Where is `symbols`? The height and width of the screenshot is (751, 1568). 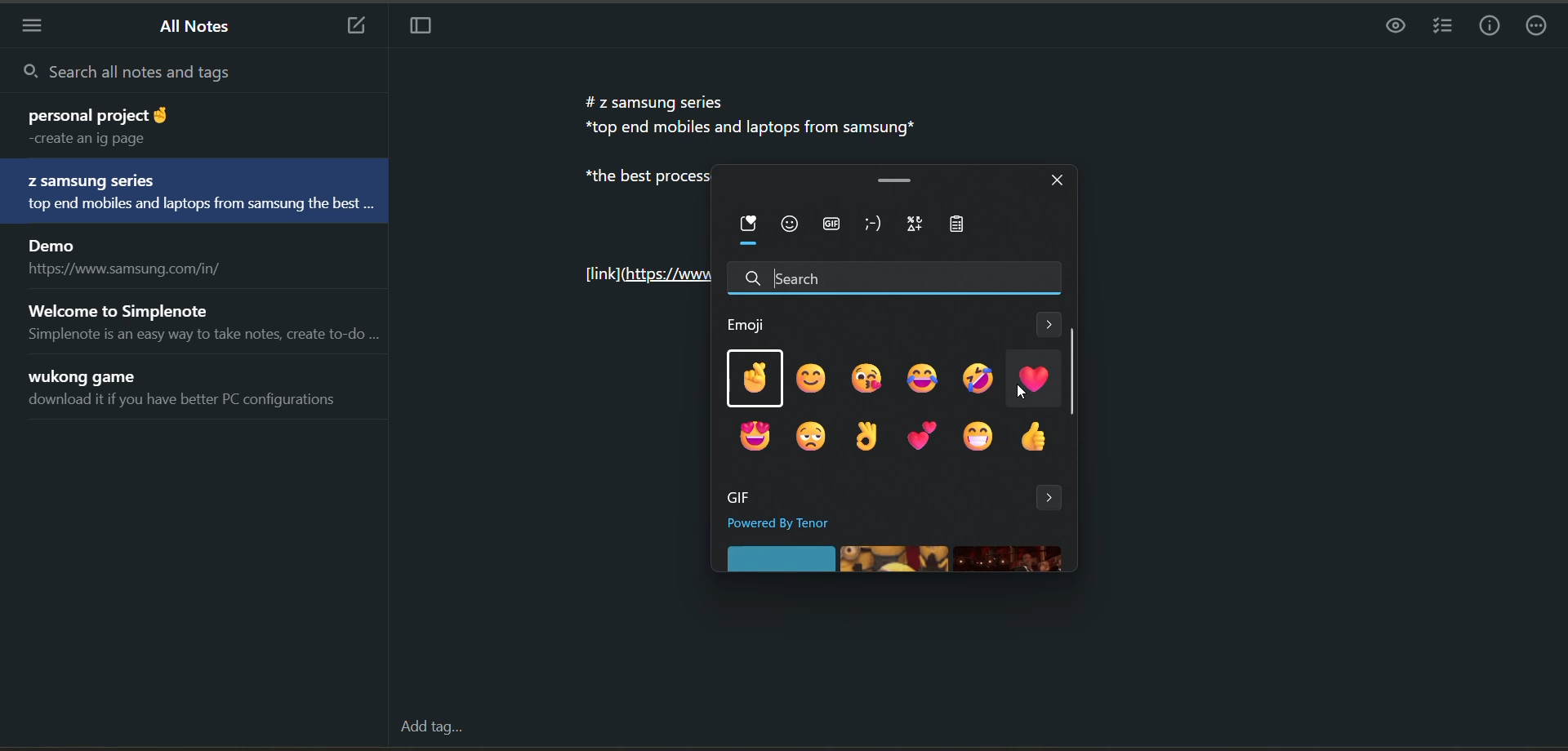 symbols is located at coordinates (917, 224).